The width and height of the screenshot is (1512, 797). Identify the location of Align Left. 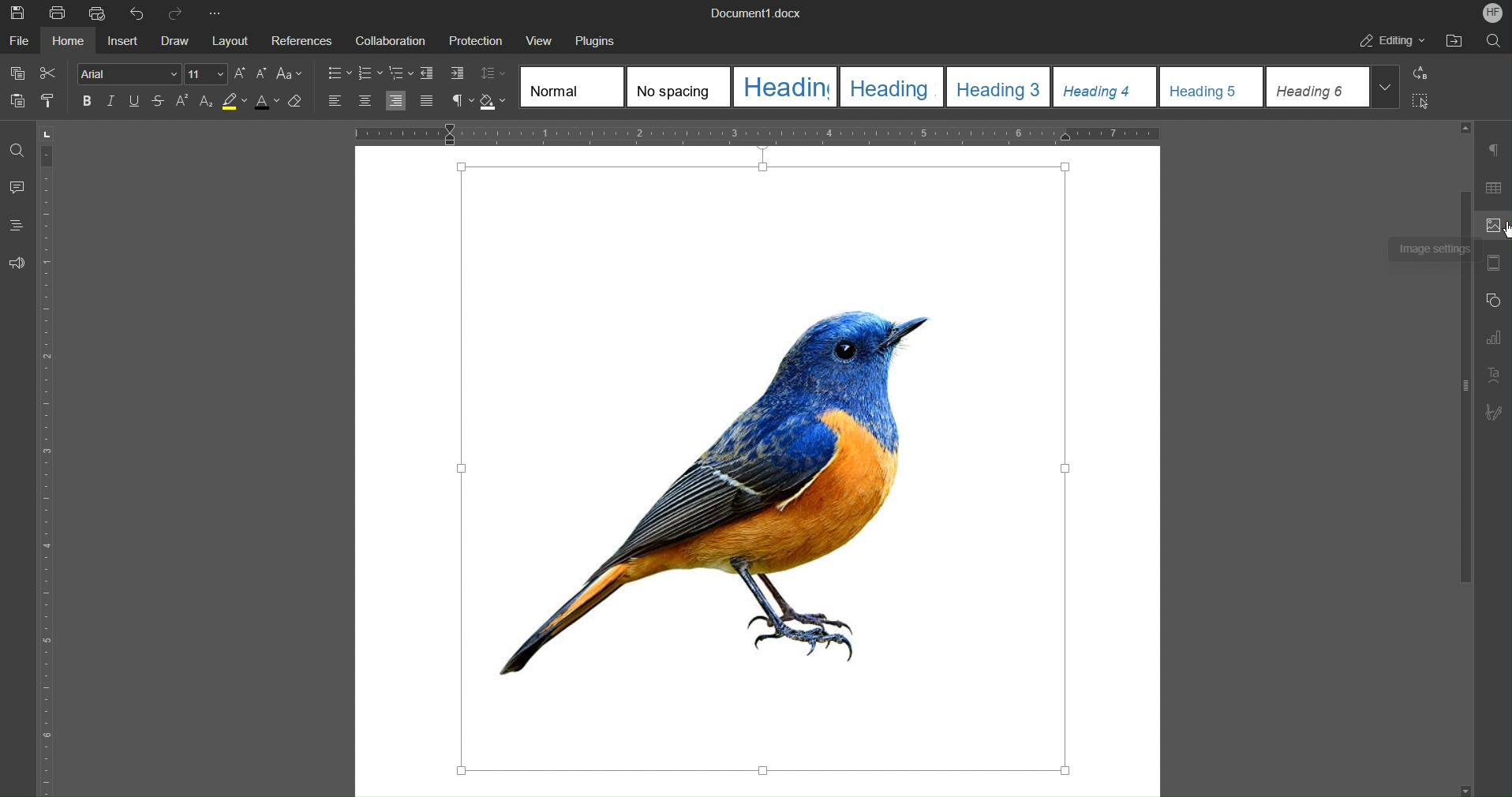
(336, 102).